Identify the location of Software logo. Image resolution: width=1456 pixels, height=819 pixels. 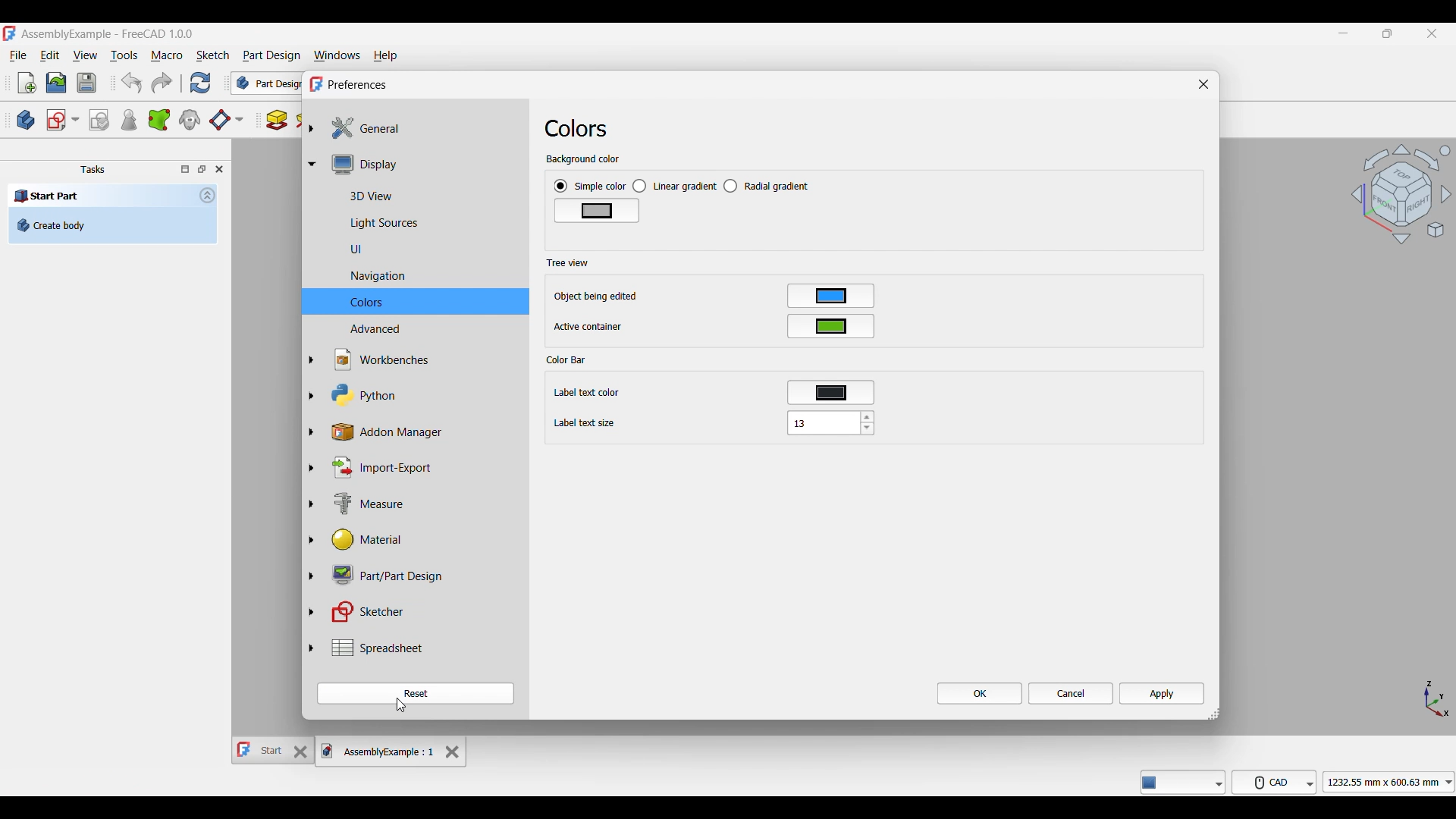
(315, 84).